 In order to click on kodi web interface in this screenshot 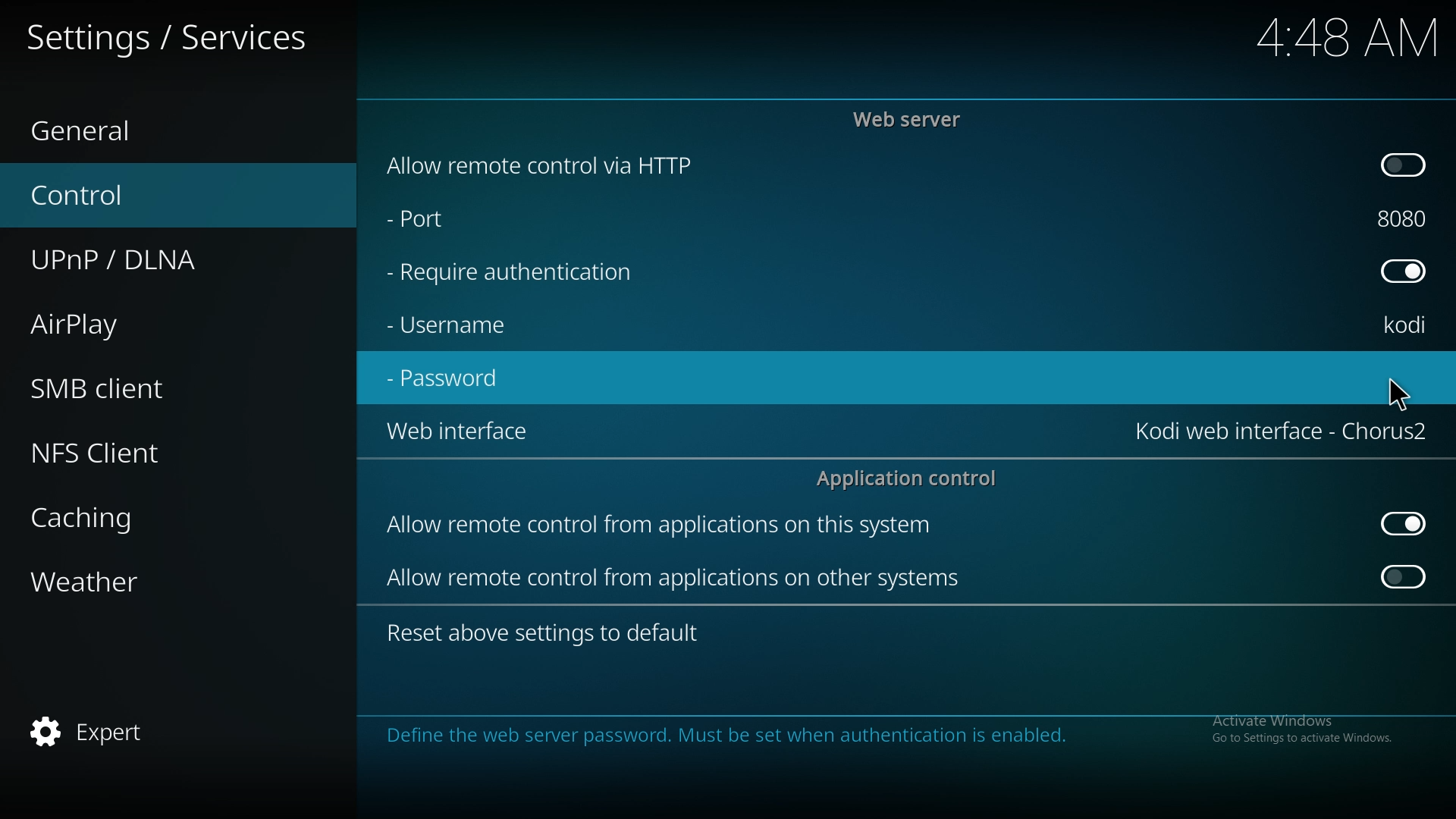, I will do `click(1281, 431)`.